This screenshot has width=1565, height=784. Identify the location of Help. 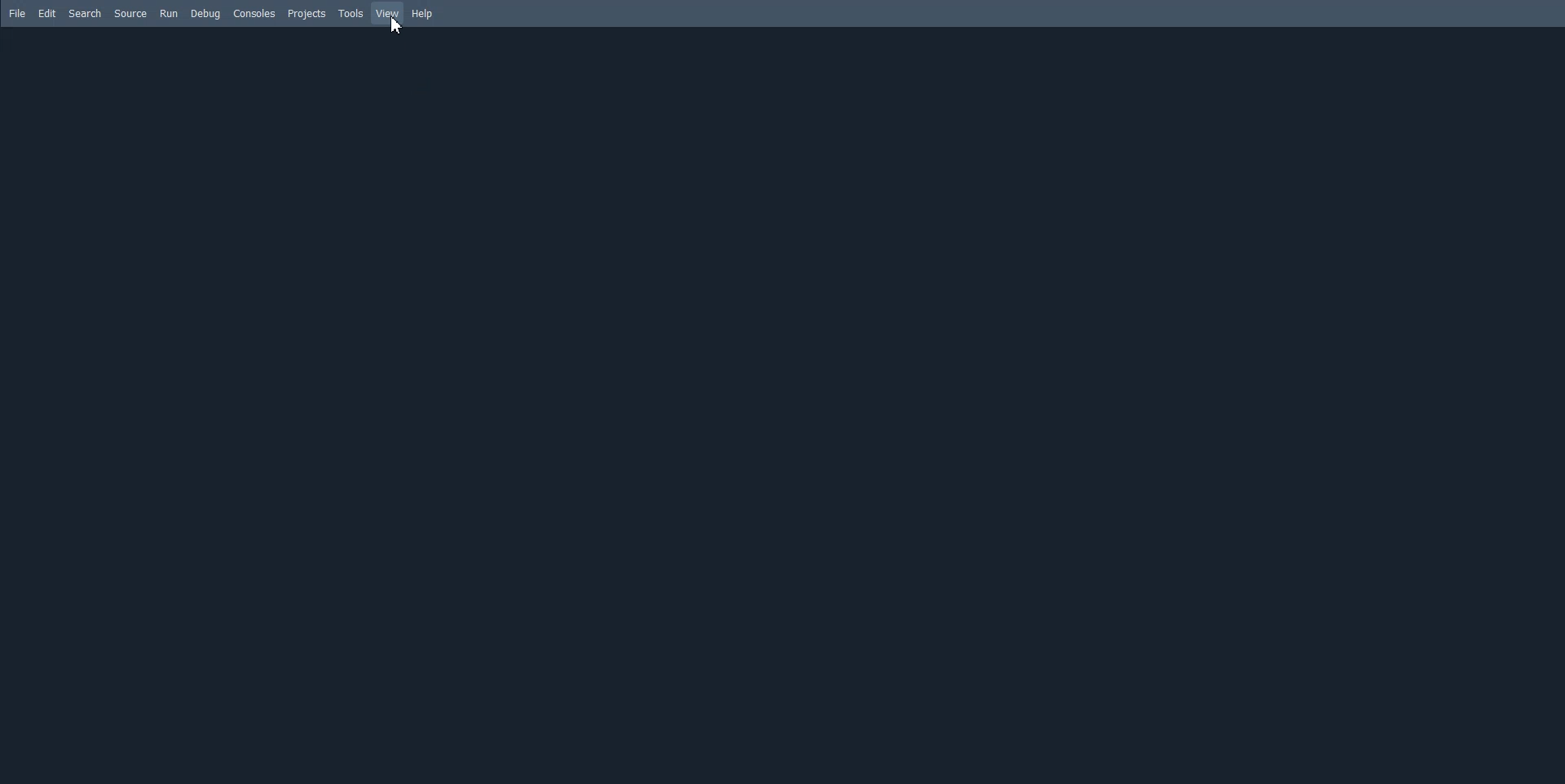
(424, 15).